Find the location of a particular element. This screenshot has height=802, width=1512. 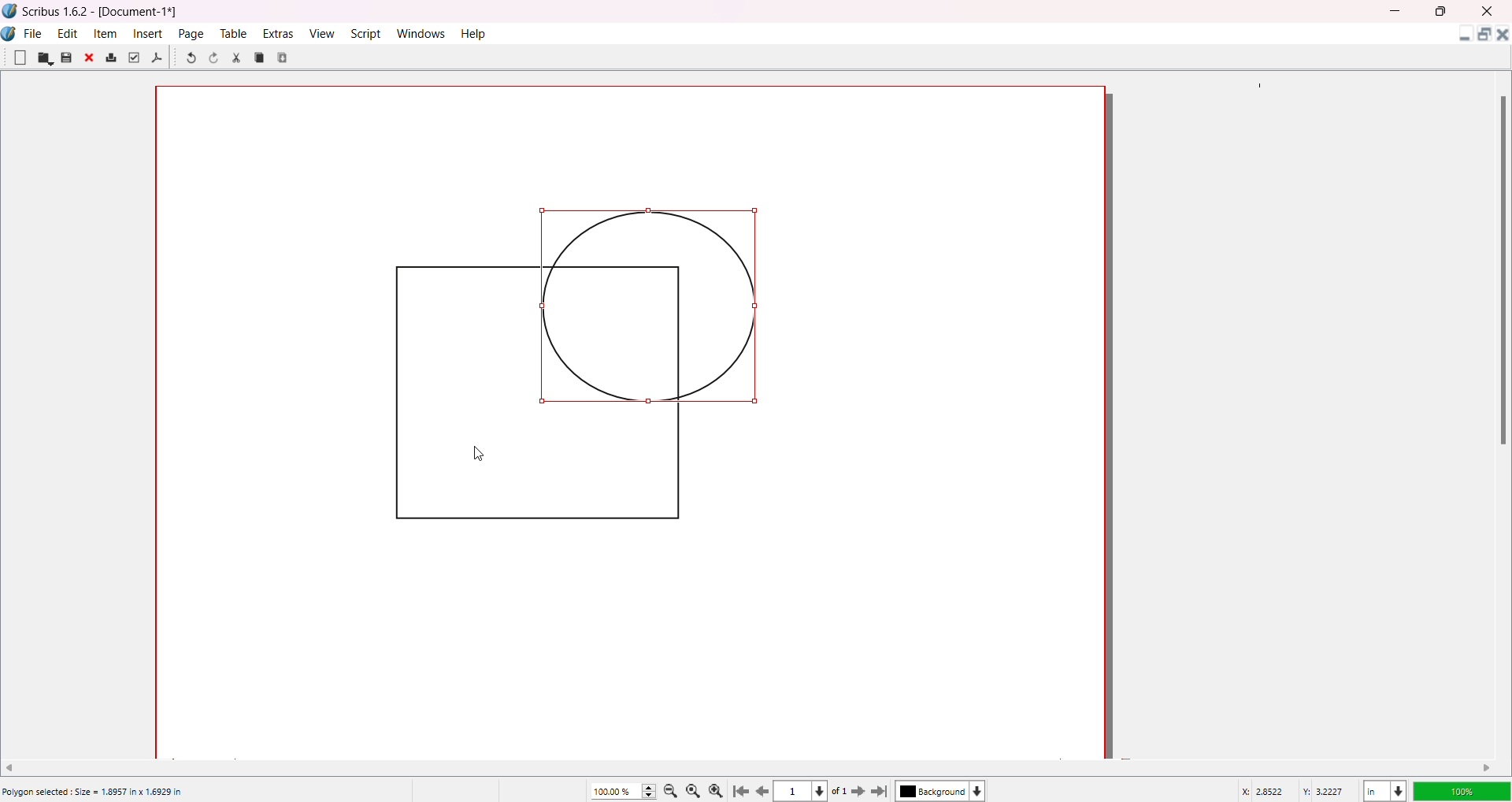

Help is located at coordinates (475, 33).